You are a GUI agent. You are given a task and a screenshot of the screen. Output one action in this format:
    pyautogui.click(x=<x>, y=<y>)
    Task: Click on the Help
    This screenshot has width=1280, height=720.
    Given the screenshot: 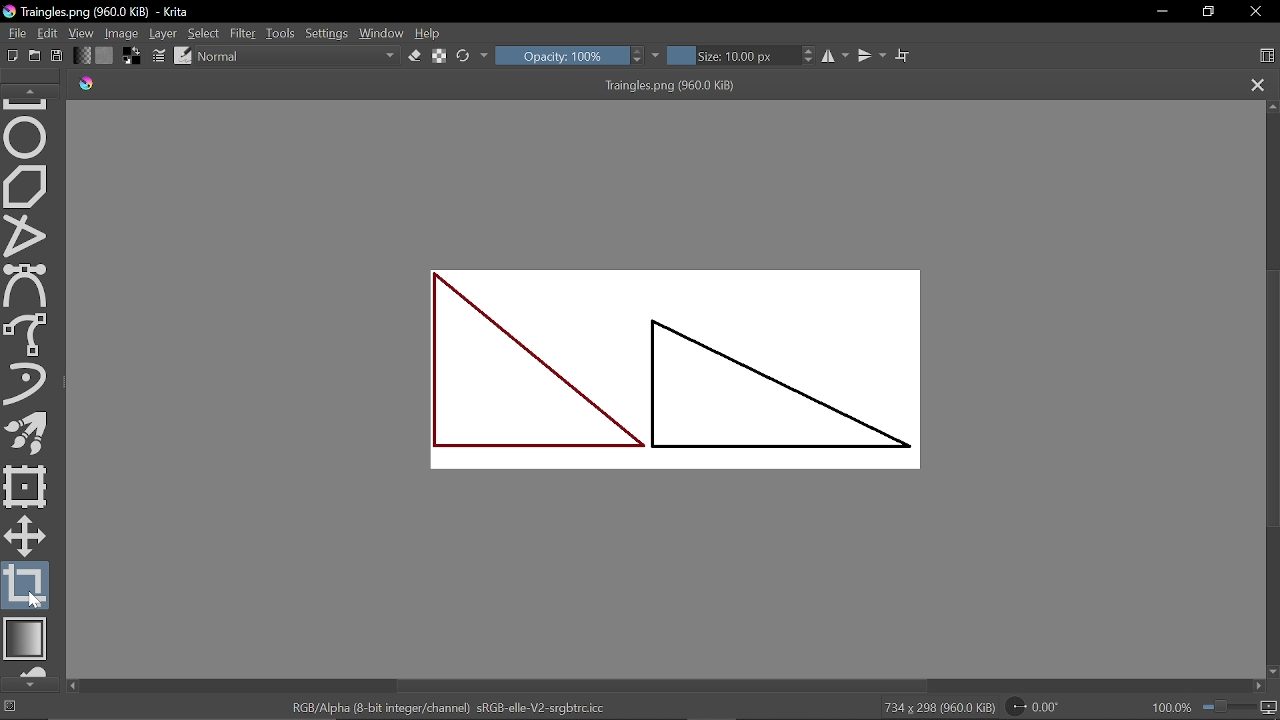 What is the action you would take?
    pyautogui.click(x=430, y=34)
    